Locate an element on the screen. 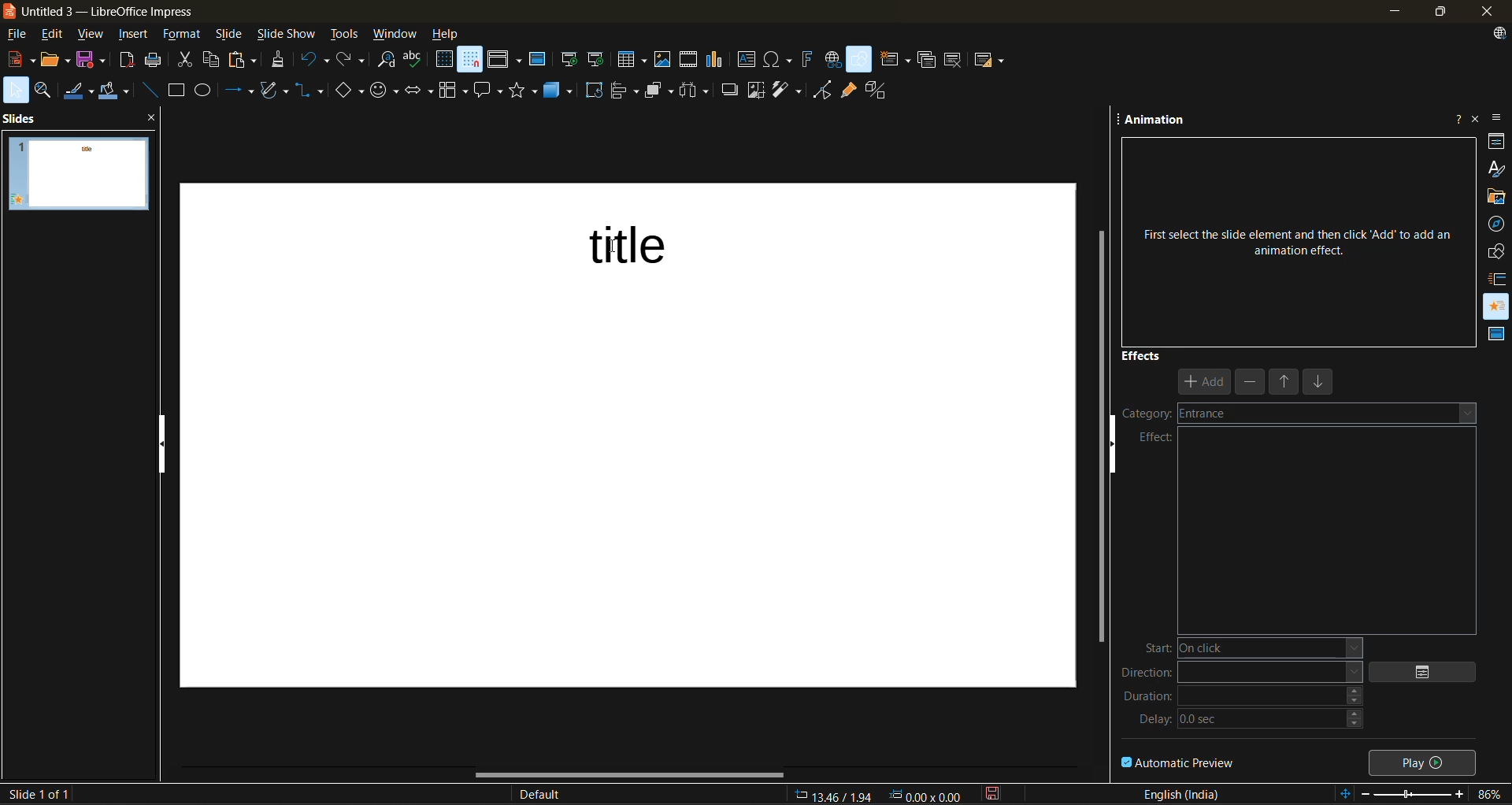 Image resolution: width=1512 pixels, height=805 pixels. delay is located at coordinates (1253, 723).